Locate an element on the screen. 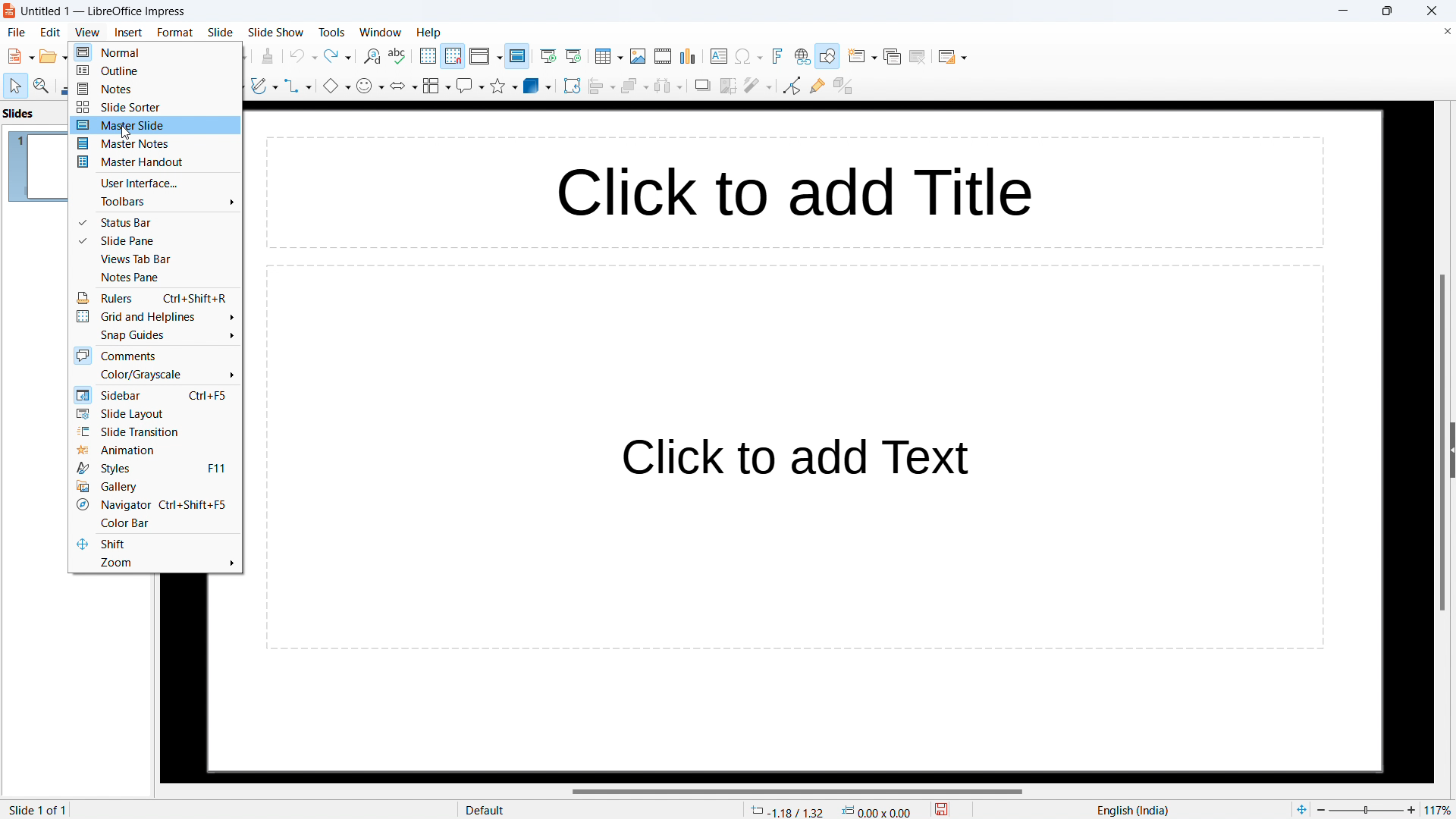 This screenshot has width=1456, height=819. slide layout is located at coordinates (155, 414).